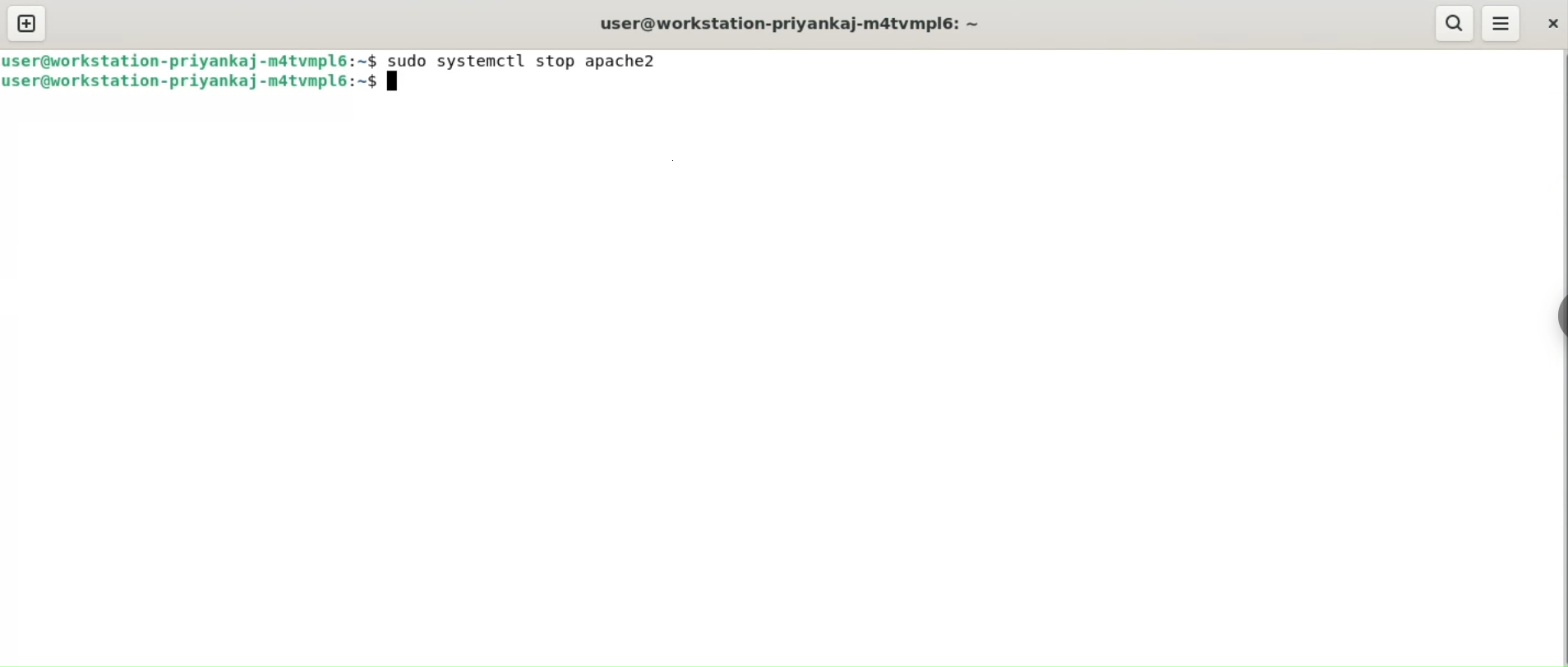 This screenshot has height=667, width=1568. I want to click on close, so click(1551, 24).